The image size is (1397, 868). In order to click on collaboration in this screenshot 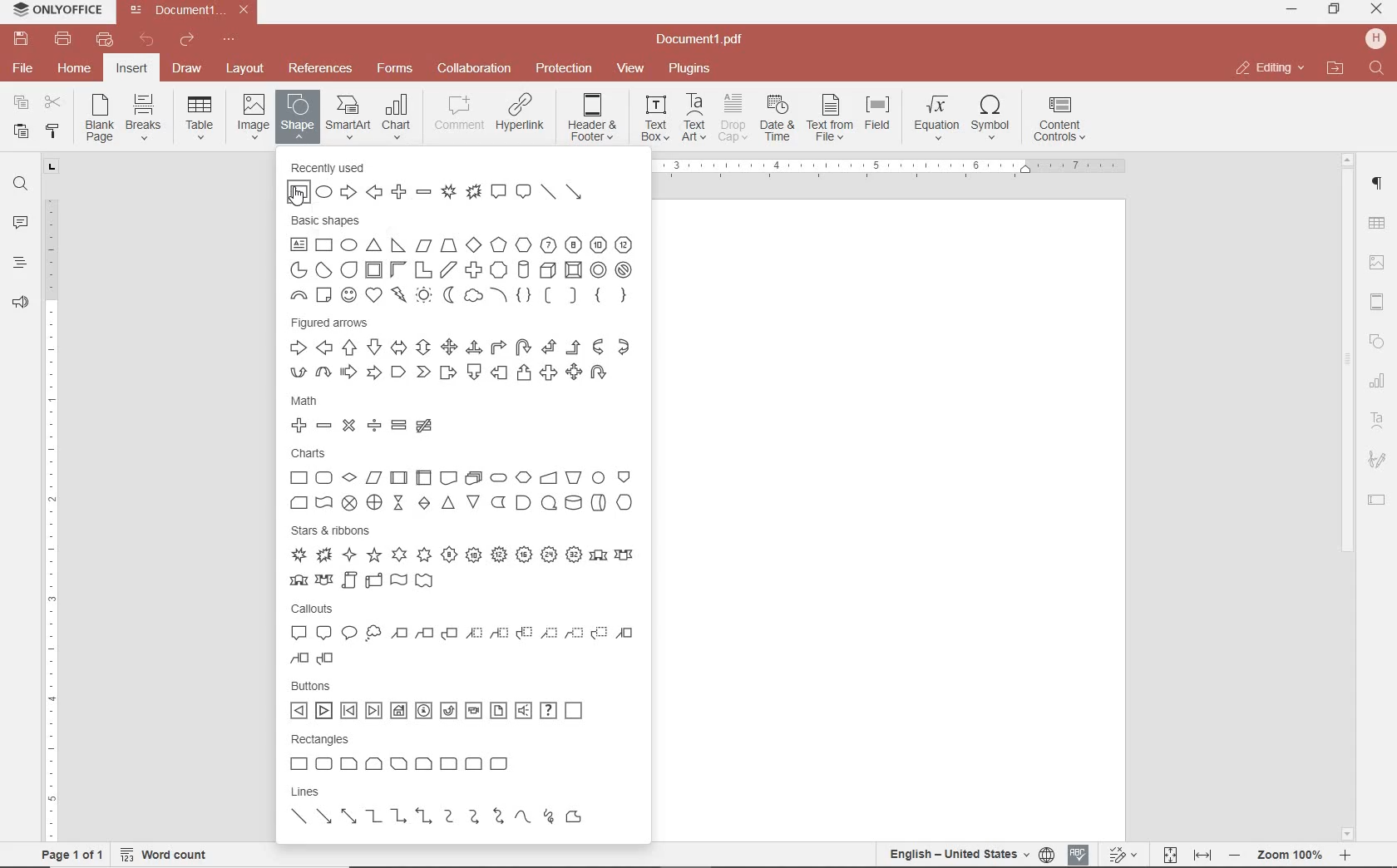, I will do `click(474, 69)`.